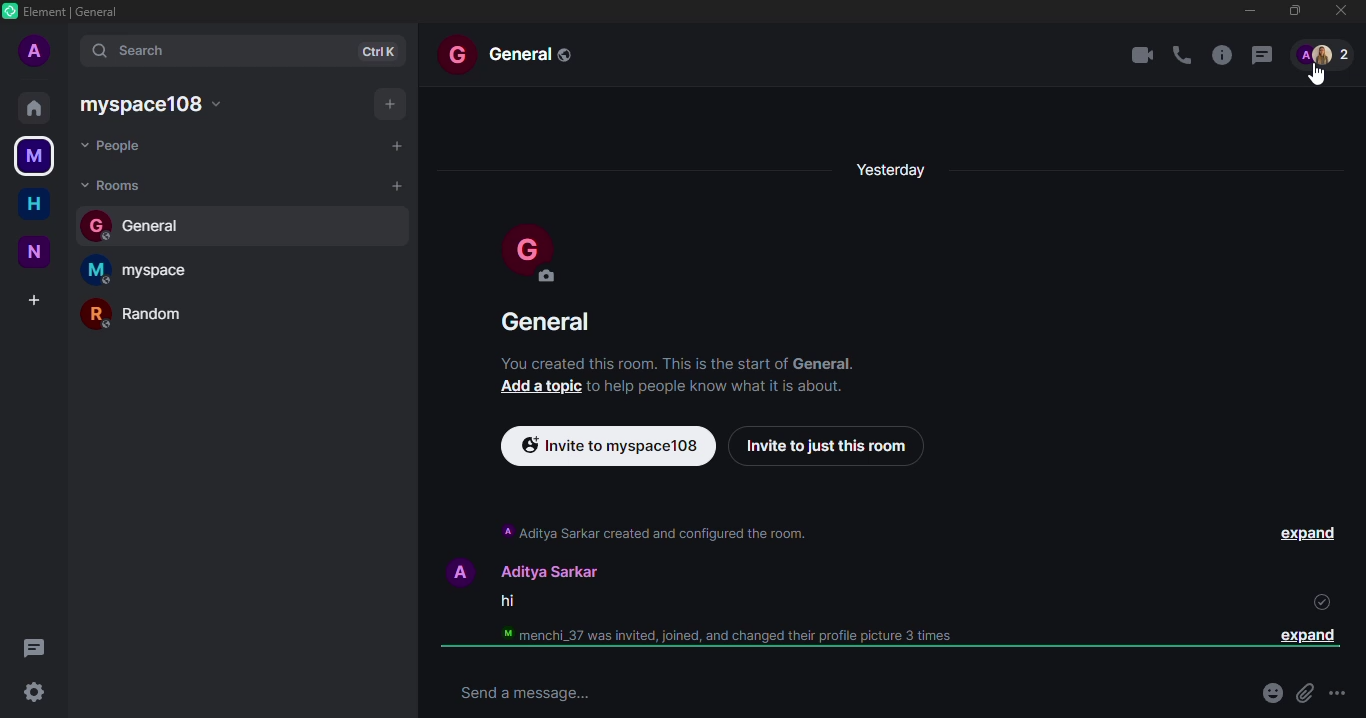  What do you see at coordinates (153, 49) in the screenshot?
I see `search` at bounding box center [153, 49].